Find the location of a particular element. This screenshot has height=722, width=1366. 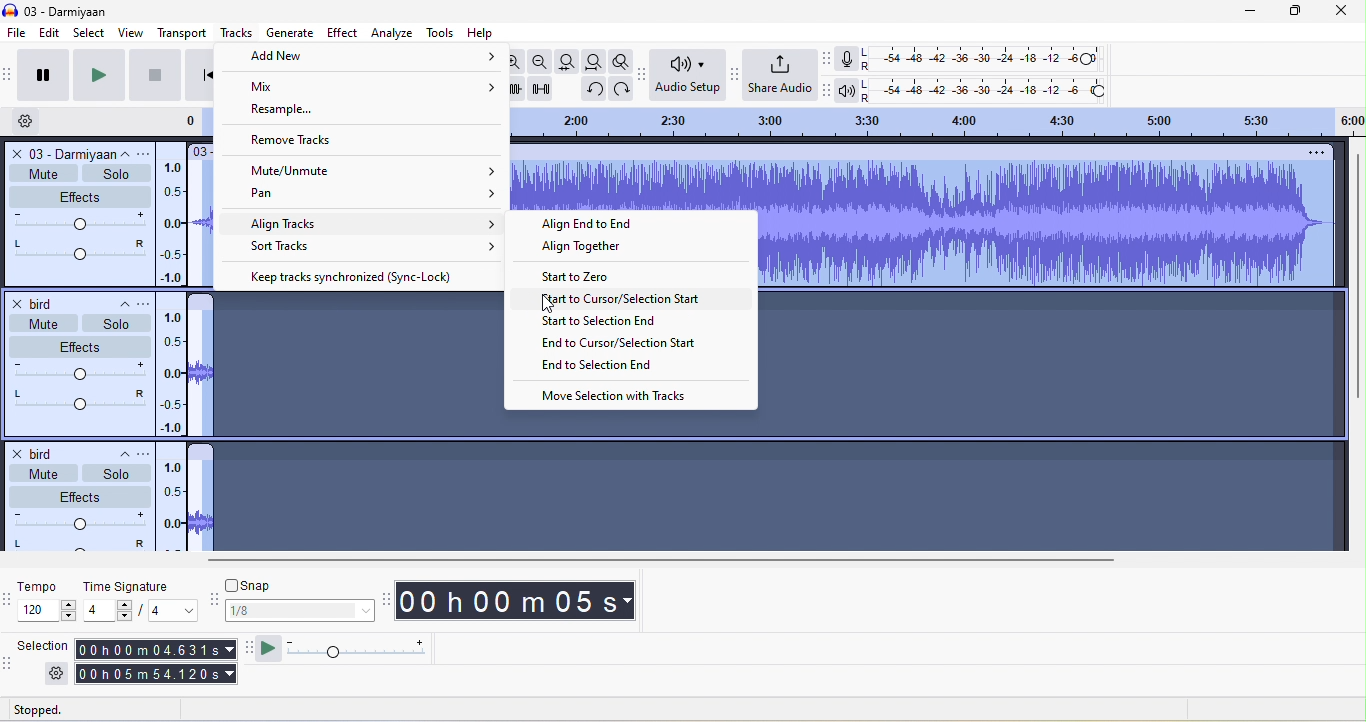

stop is located at coordinates (151, 78).